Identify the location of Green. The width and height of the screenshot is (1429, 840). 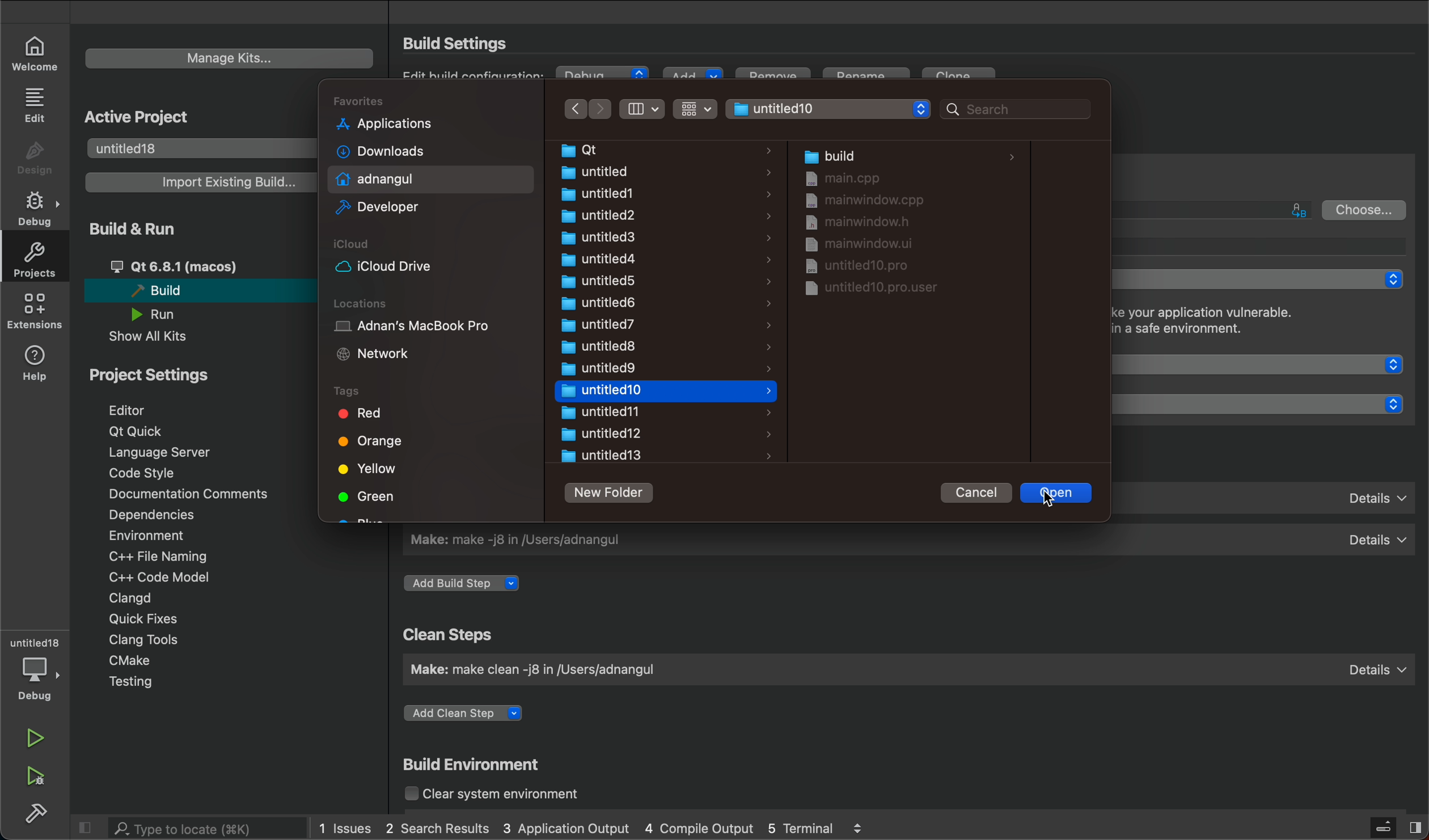
(371, 495).